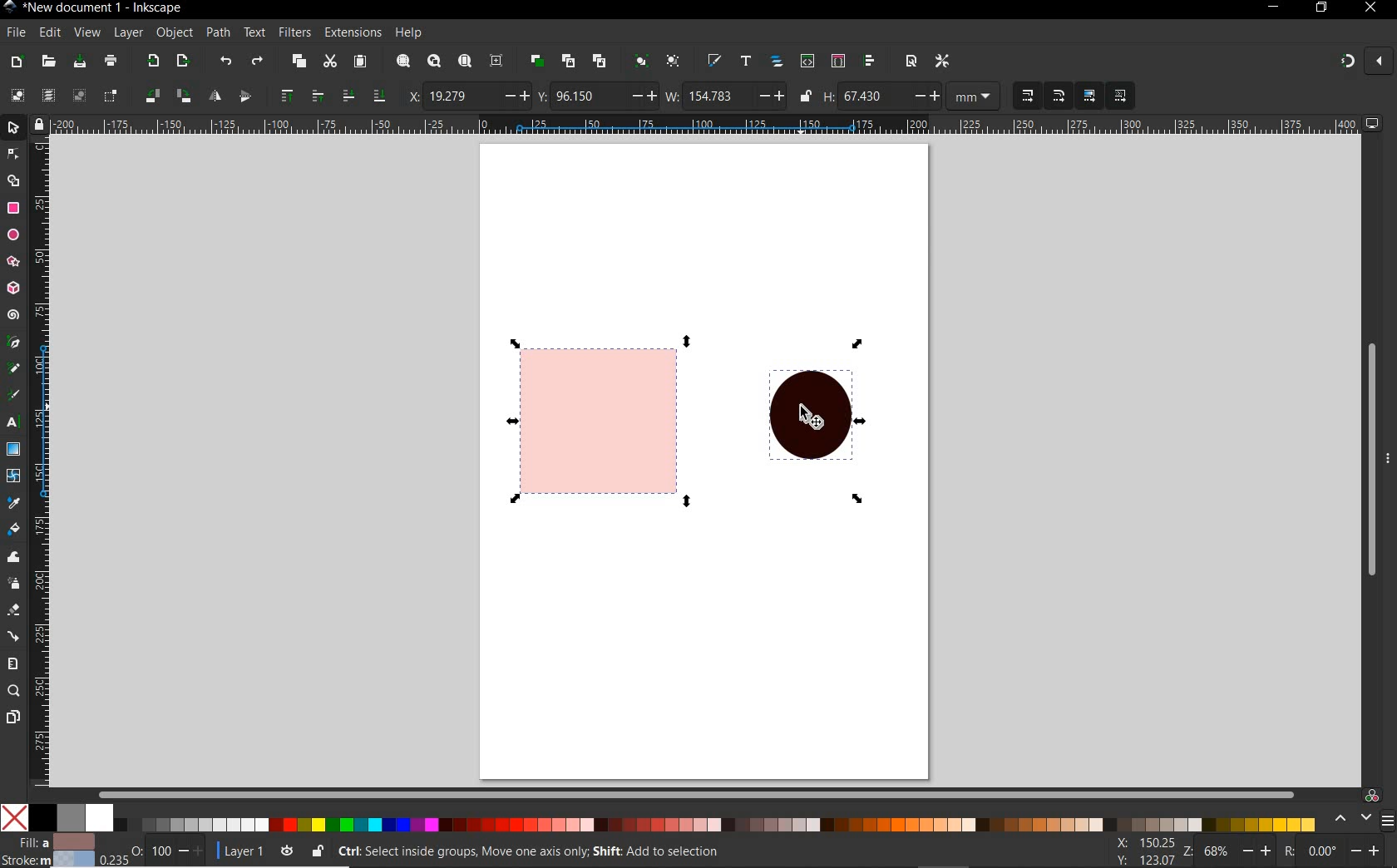  I want to click on save, so click(80, 61).